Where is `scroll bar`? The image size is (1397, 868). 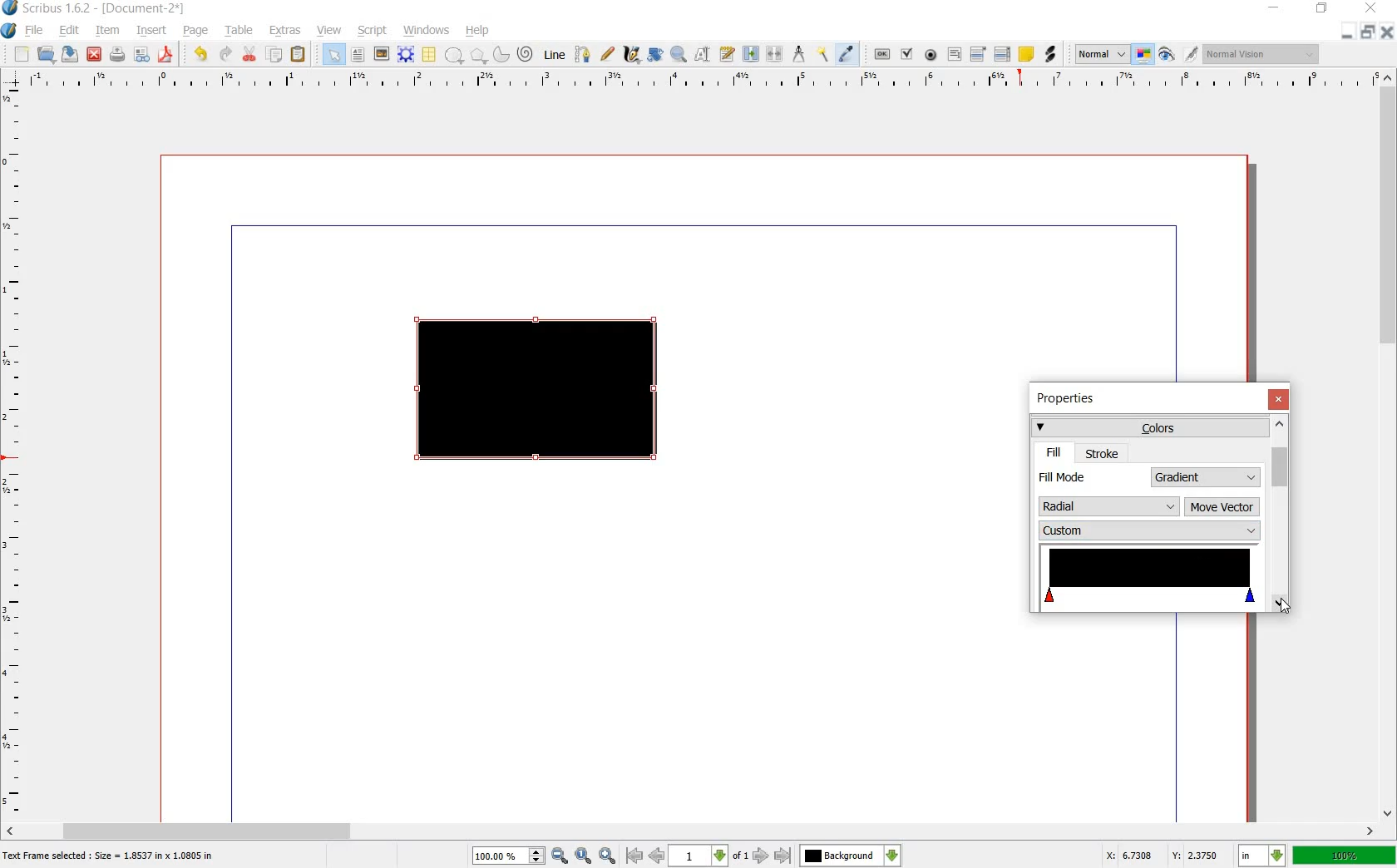 scroll bar is located at coordinates (692, 830).